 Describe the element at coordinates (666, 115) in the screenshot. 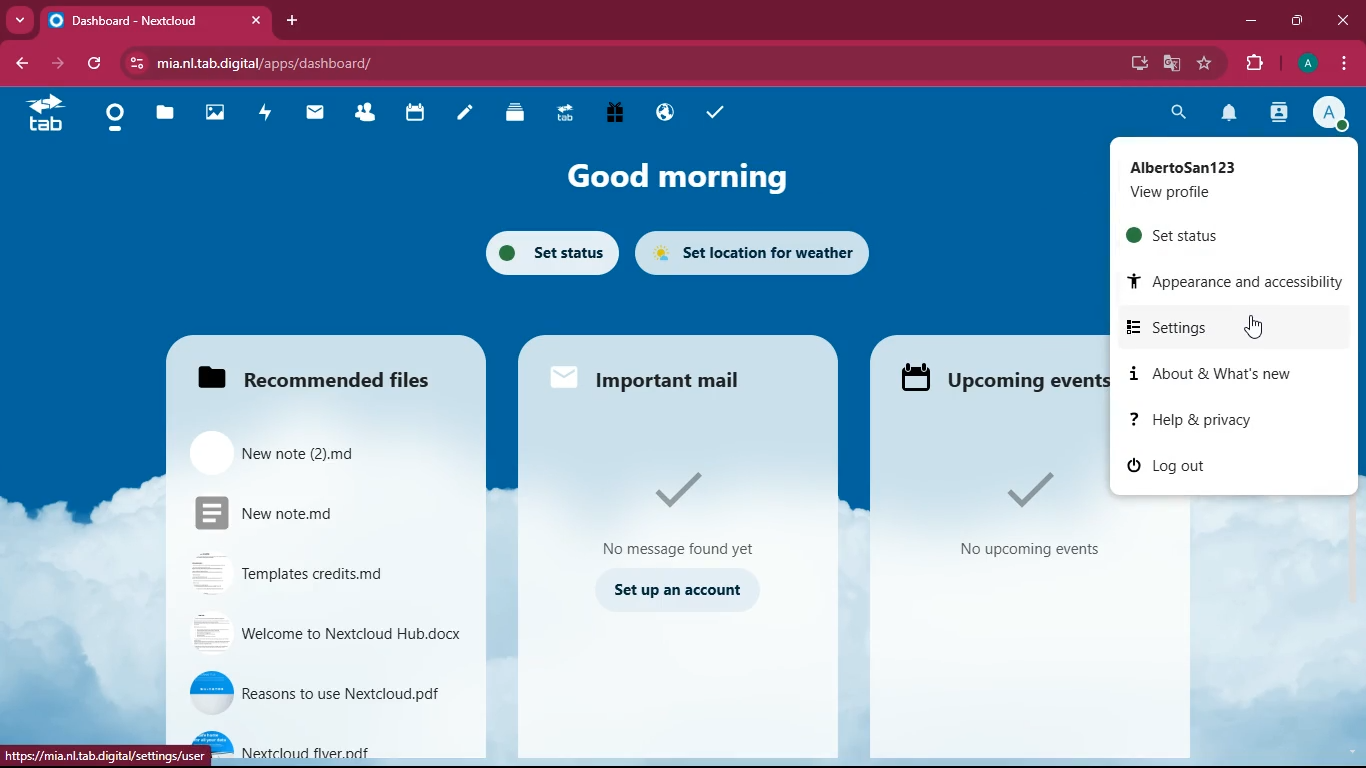

I see `Email Hosting` at that location.